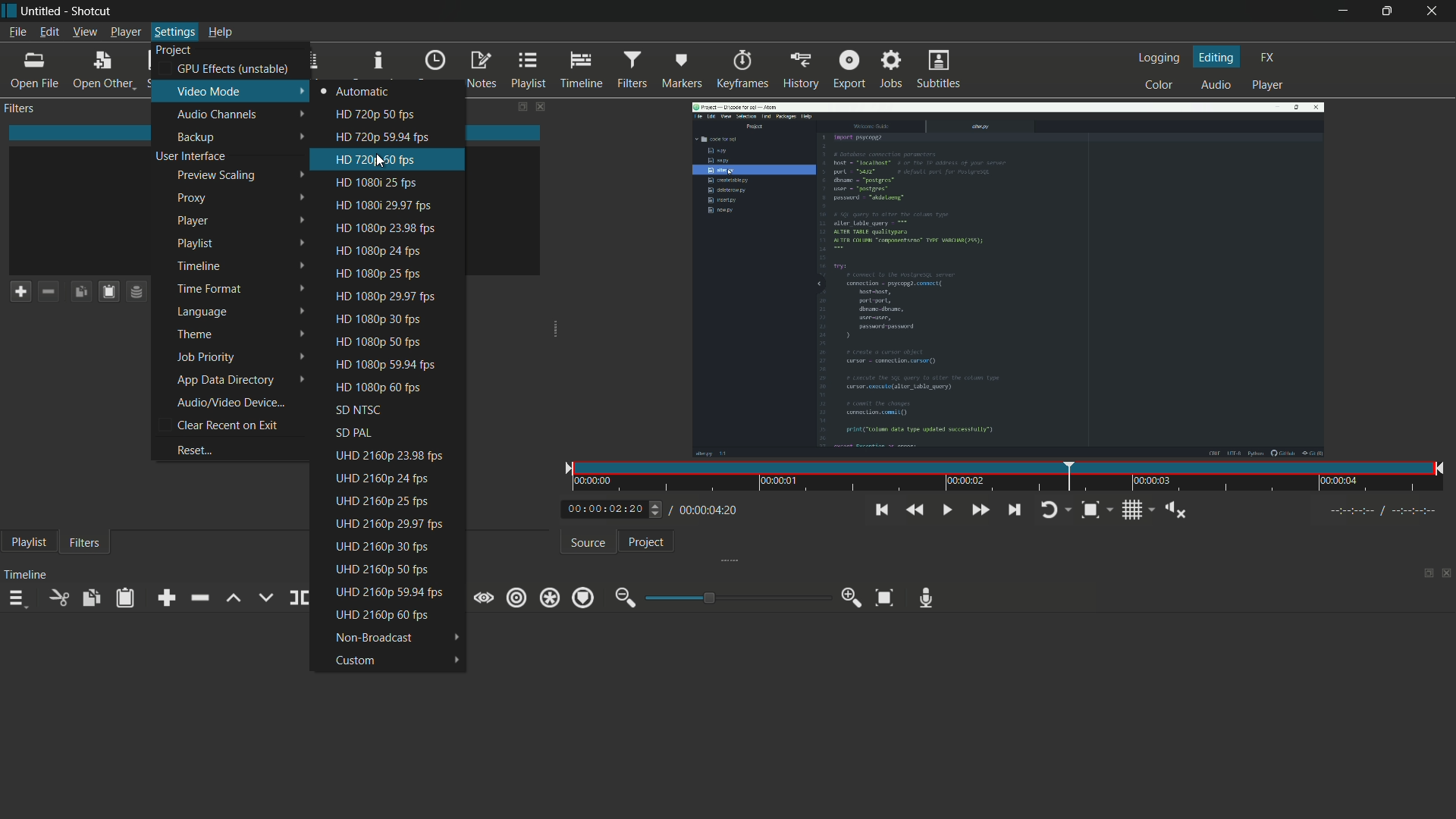 This screenshot has width=1456, height=819. Describe the element at coordinates (392, 364) in the screenshot. I see `hd 1080p 59.94 fps` at that location.